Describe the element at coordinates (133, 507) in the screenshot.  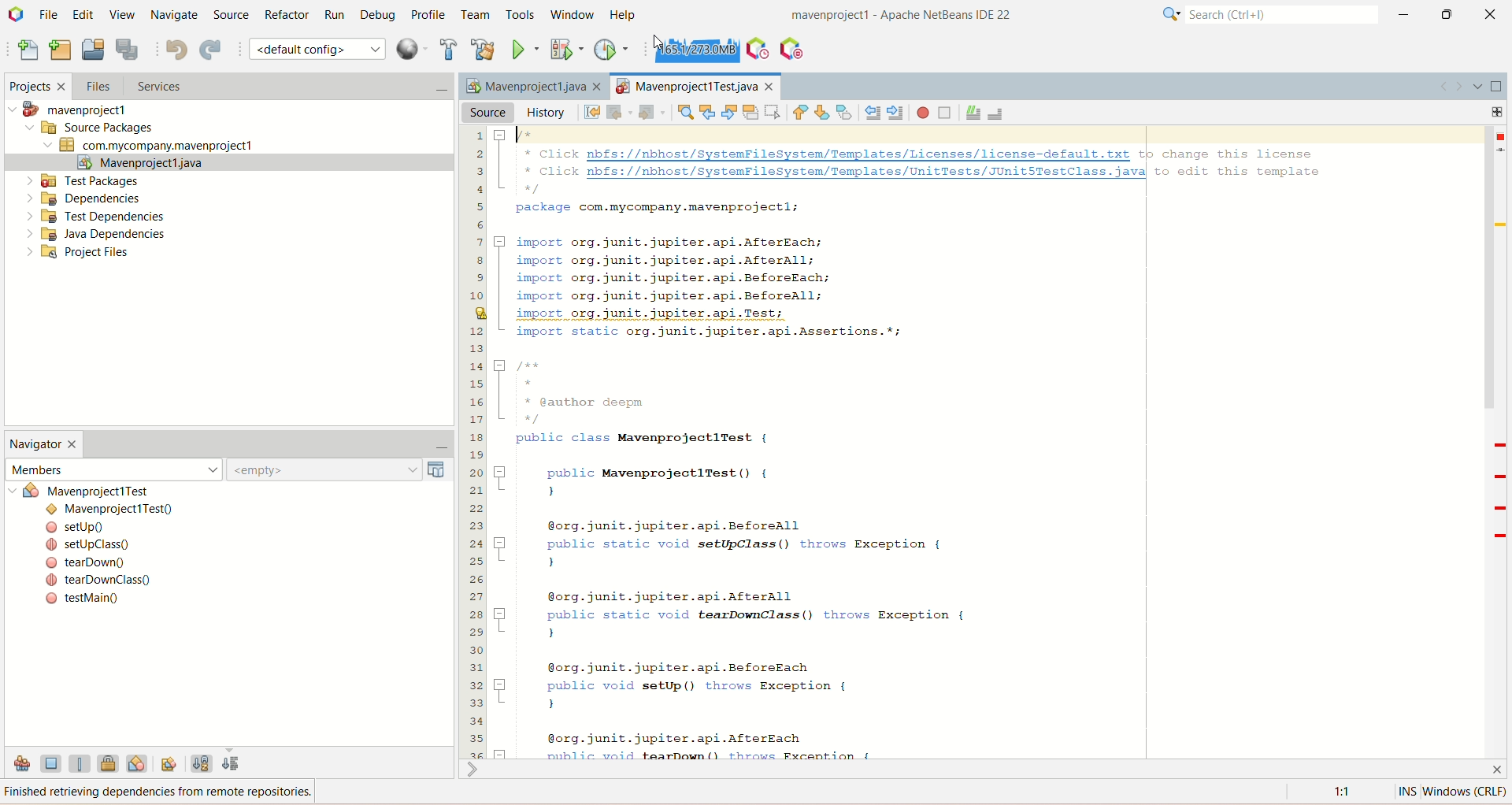
I see `mavenproject1test()` at that location.